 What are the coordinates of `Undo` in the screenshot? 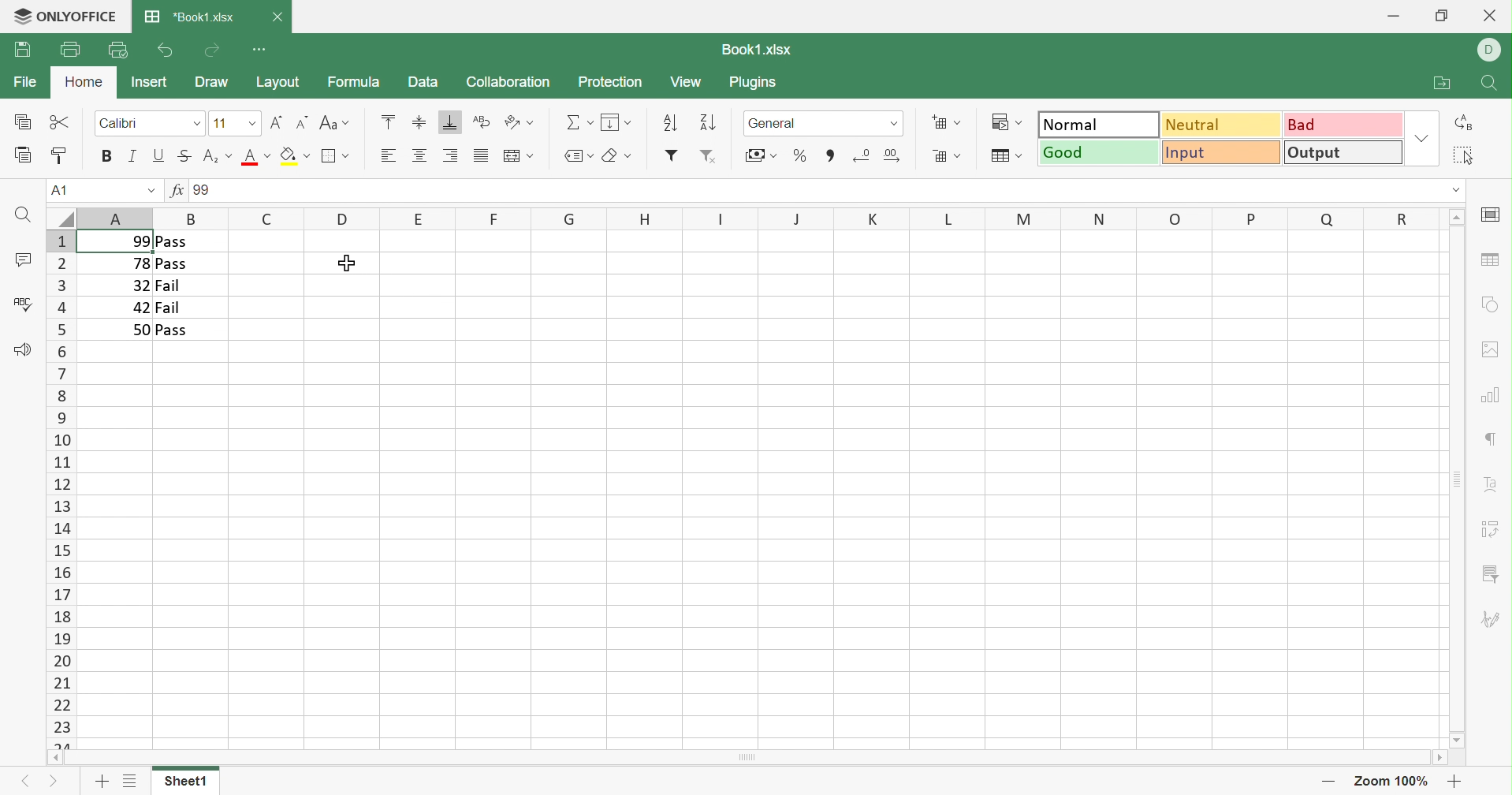 It's located at (164, 51).